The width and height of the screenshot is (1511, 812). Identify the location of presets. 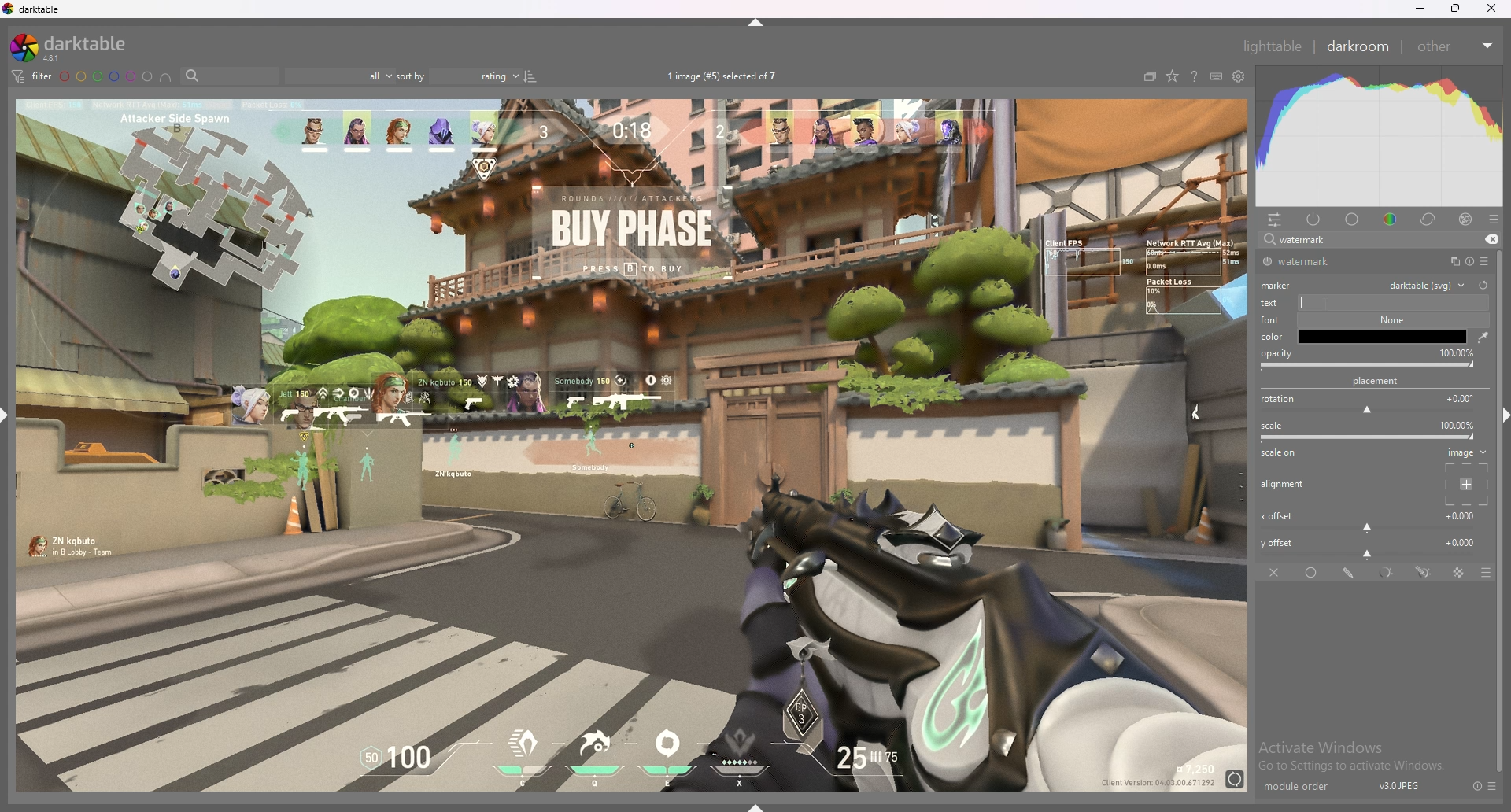
(1493, 786).